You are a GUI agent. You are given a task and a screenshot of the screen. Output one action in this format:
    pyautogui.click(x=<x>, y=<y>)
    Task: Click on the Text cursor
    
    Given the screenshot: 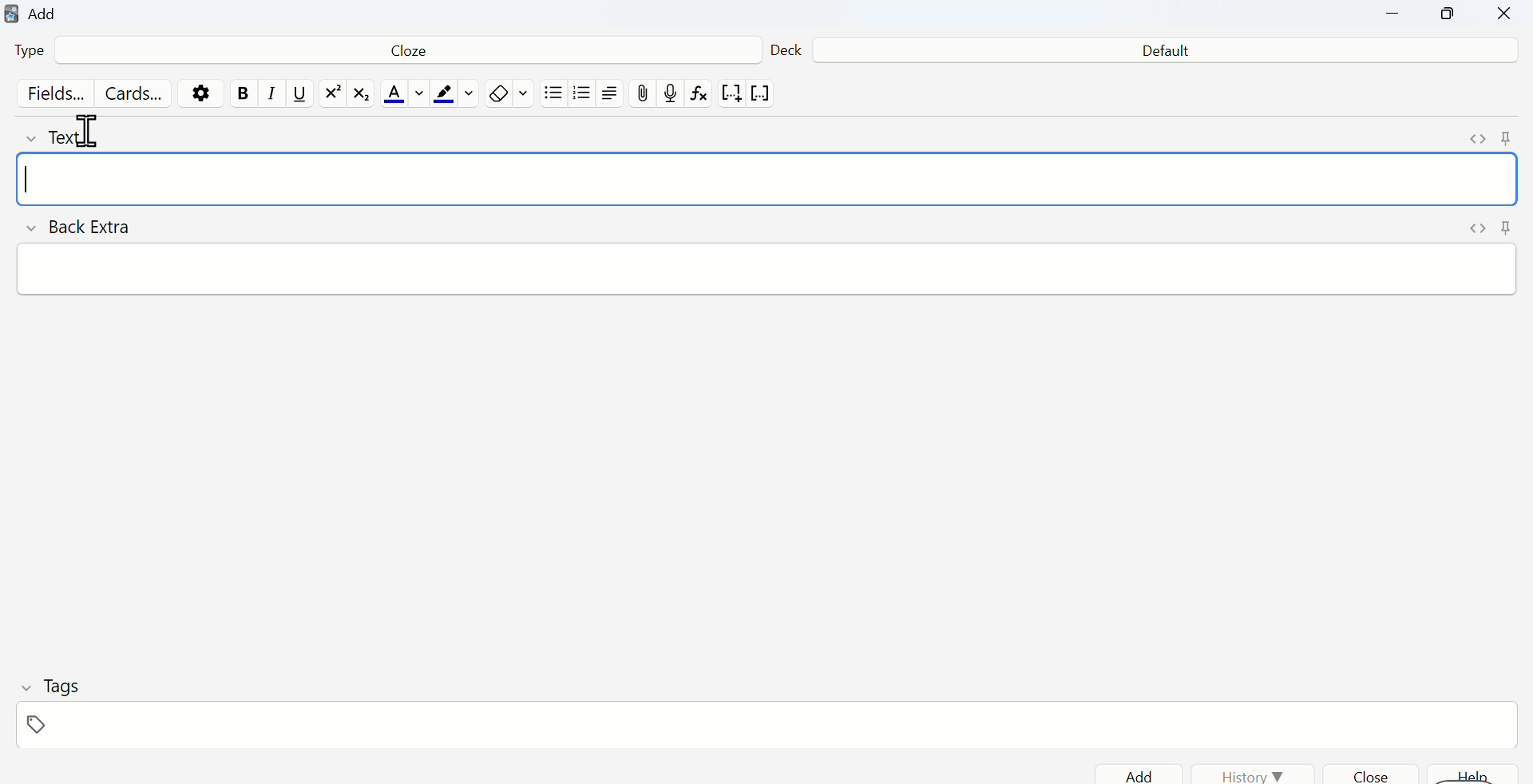 What is the action you would take?
    pyautogui.click(x=31, y=181)
    